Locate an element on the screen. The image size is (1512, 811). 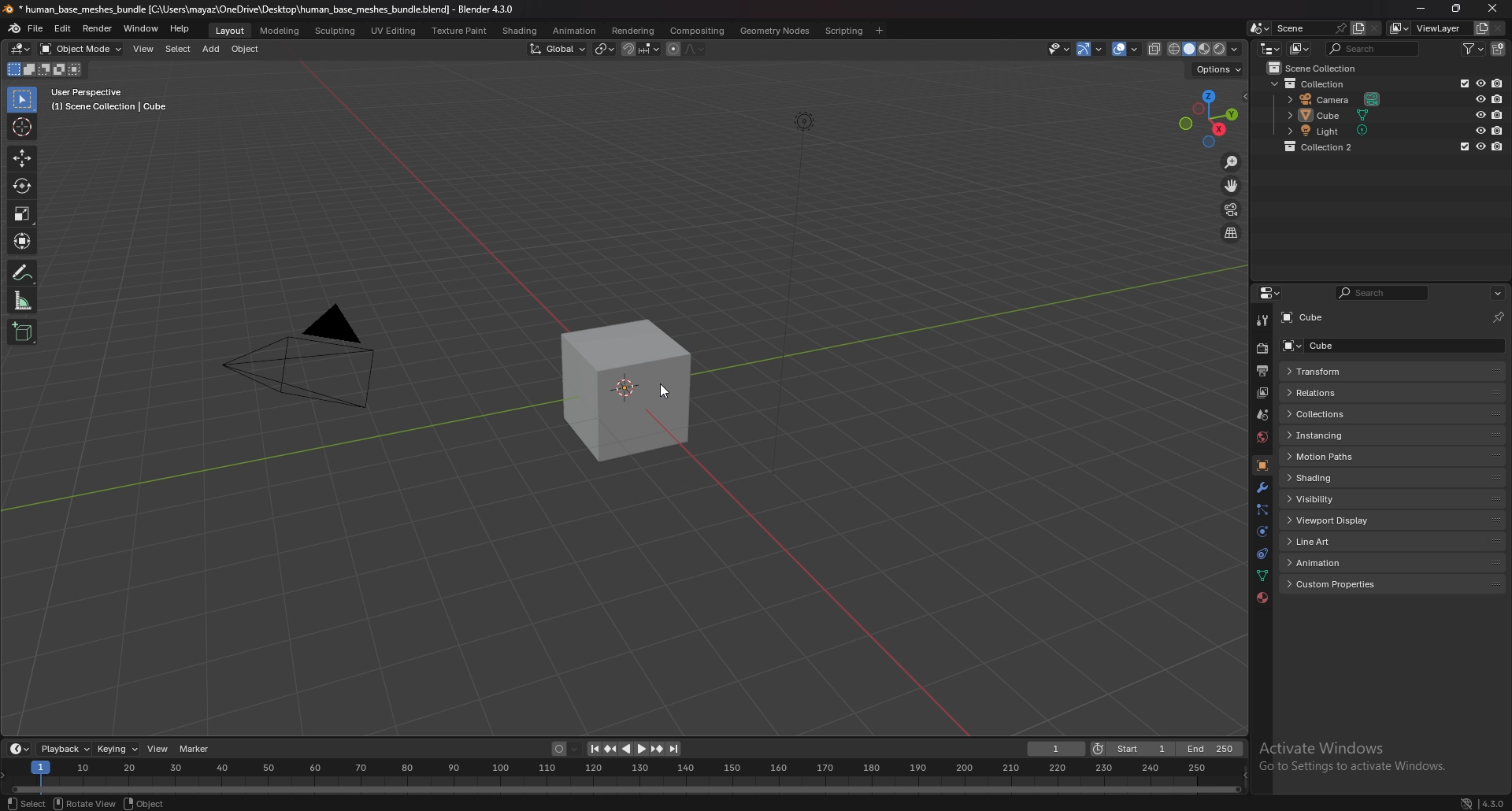
toggle pin id is located at coordinates (1499, 317).